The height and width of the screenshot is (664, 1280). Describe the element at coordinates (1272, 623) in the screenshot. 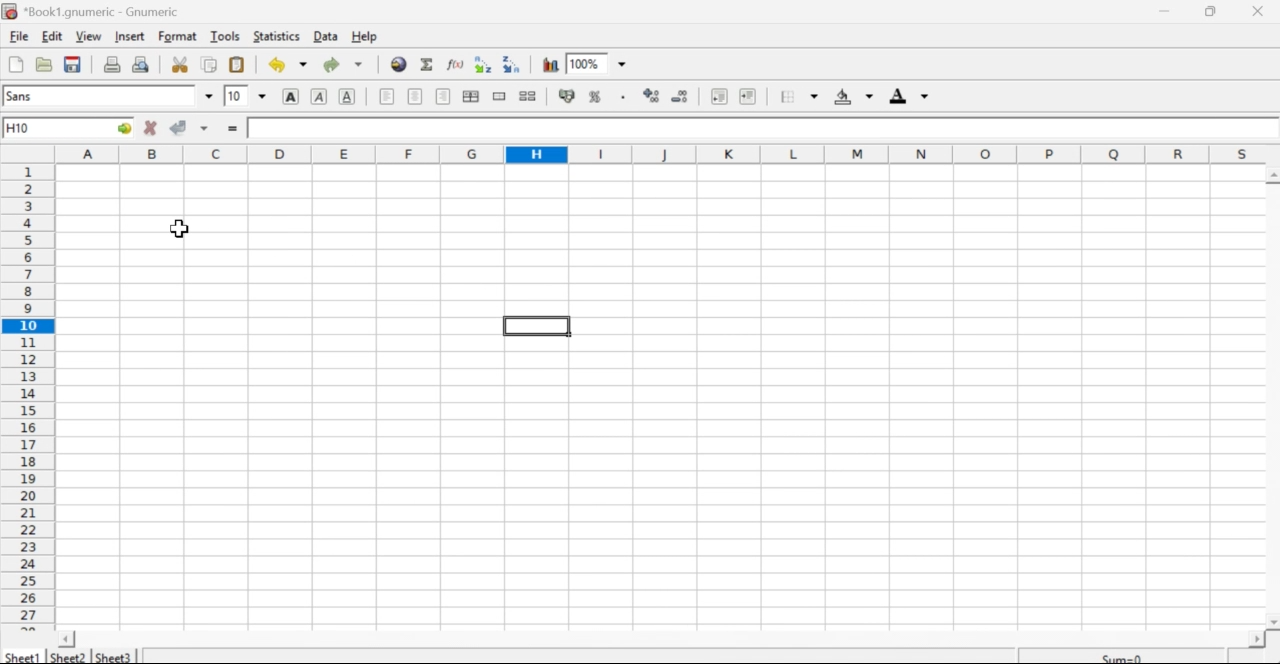

I see `scroll down` at that location.